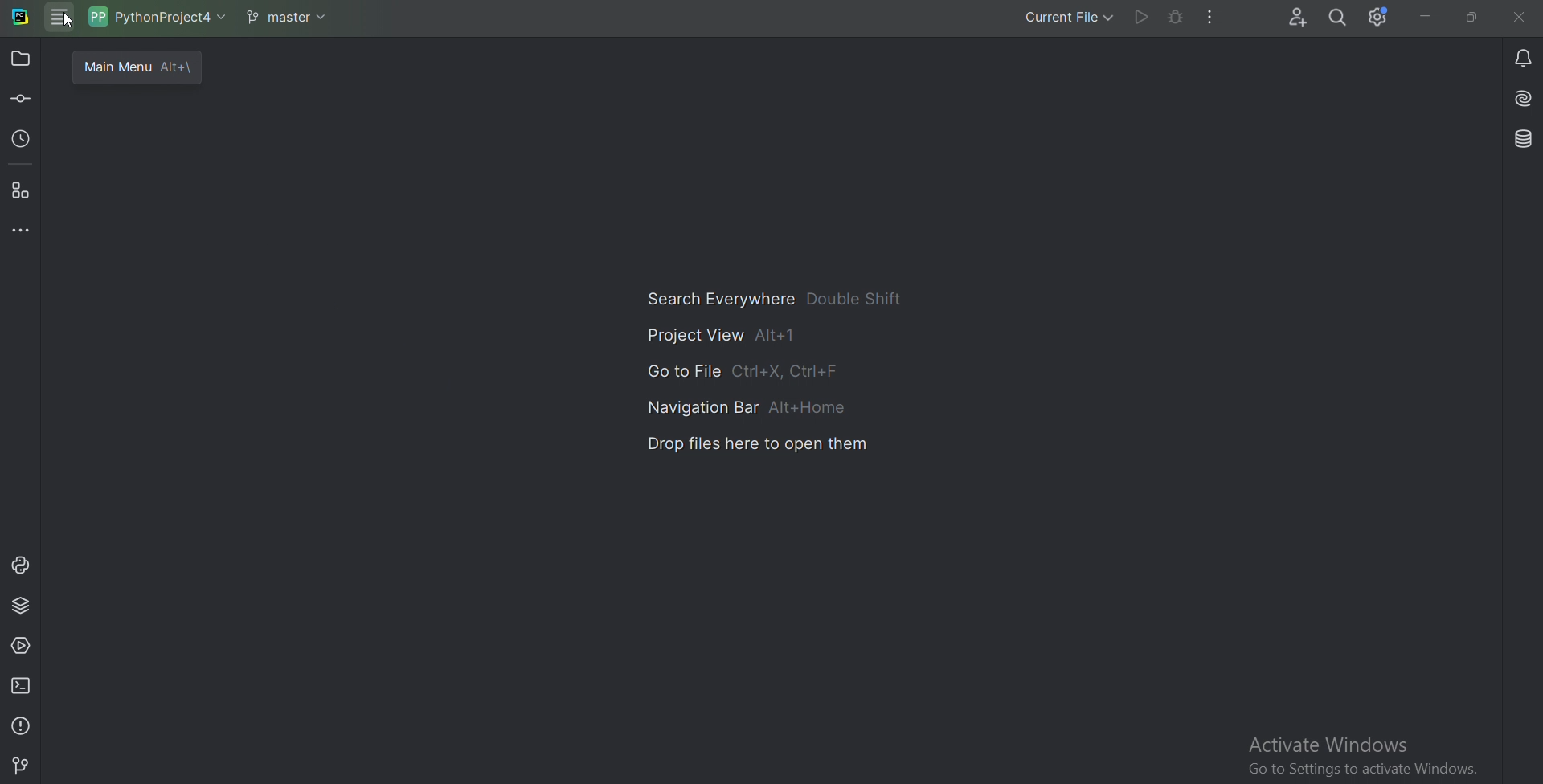 Image resolution: width=1543 pixels, height=784 pixels. What do you see at coordinates (1140, 18) in the screenshot?
I see `Run` at bounding box center [1140, 18].